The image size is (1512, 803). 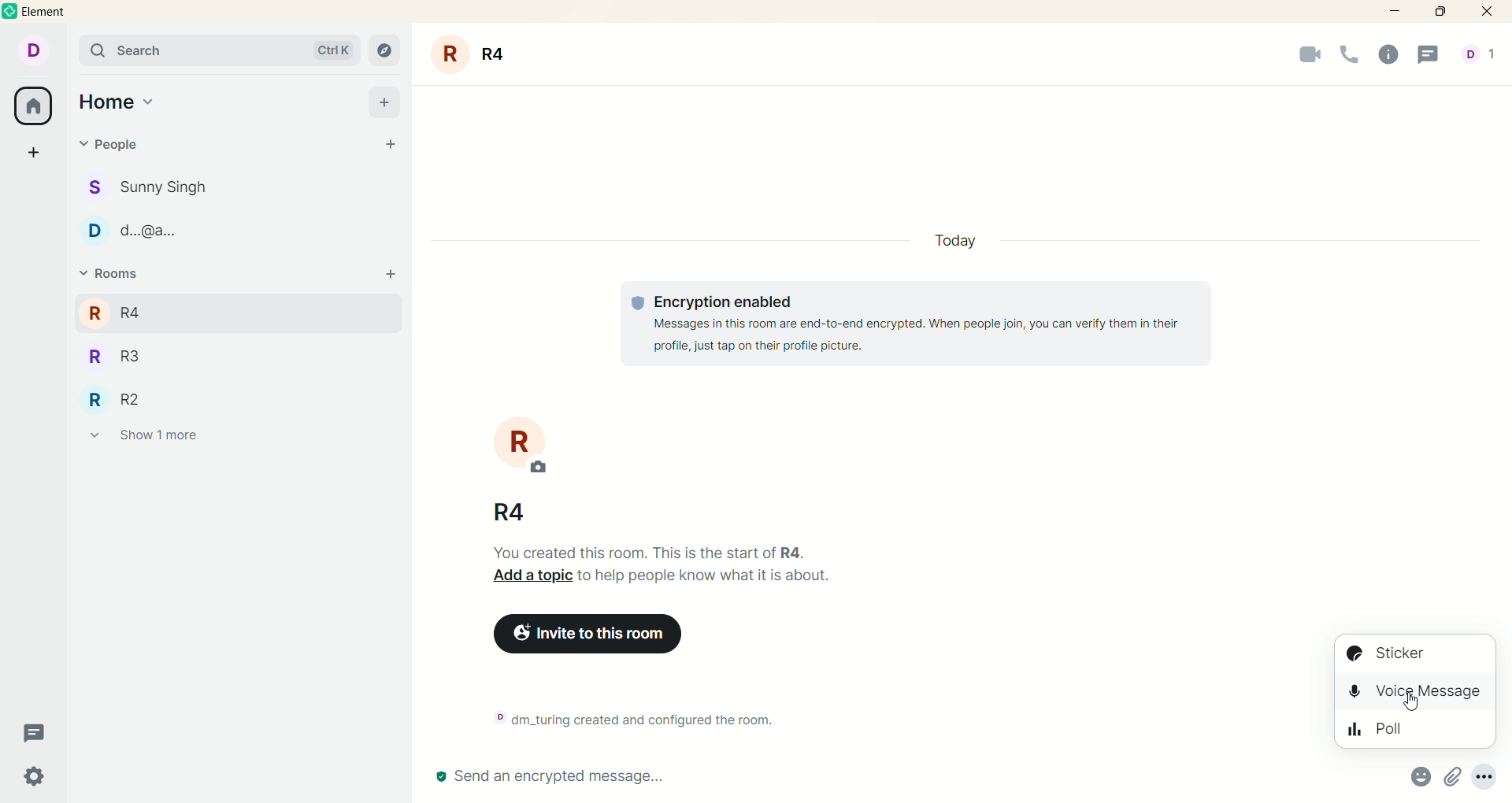 What do you see at coordinates (550, 778) in the screenshot?
I see `send encrypted message` at bounding box center [550, 778].